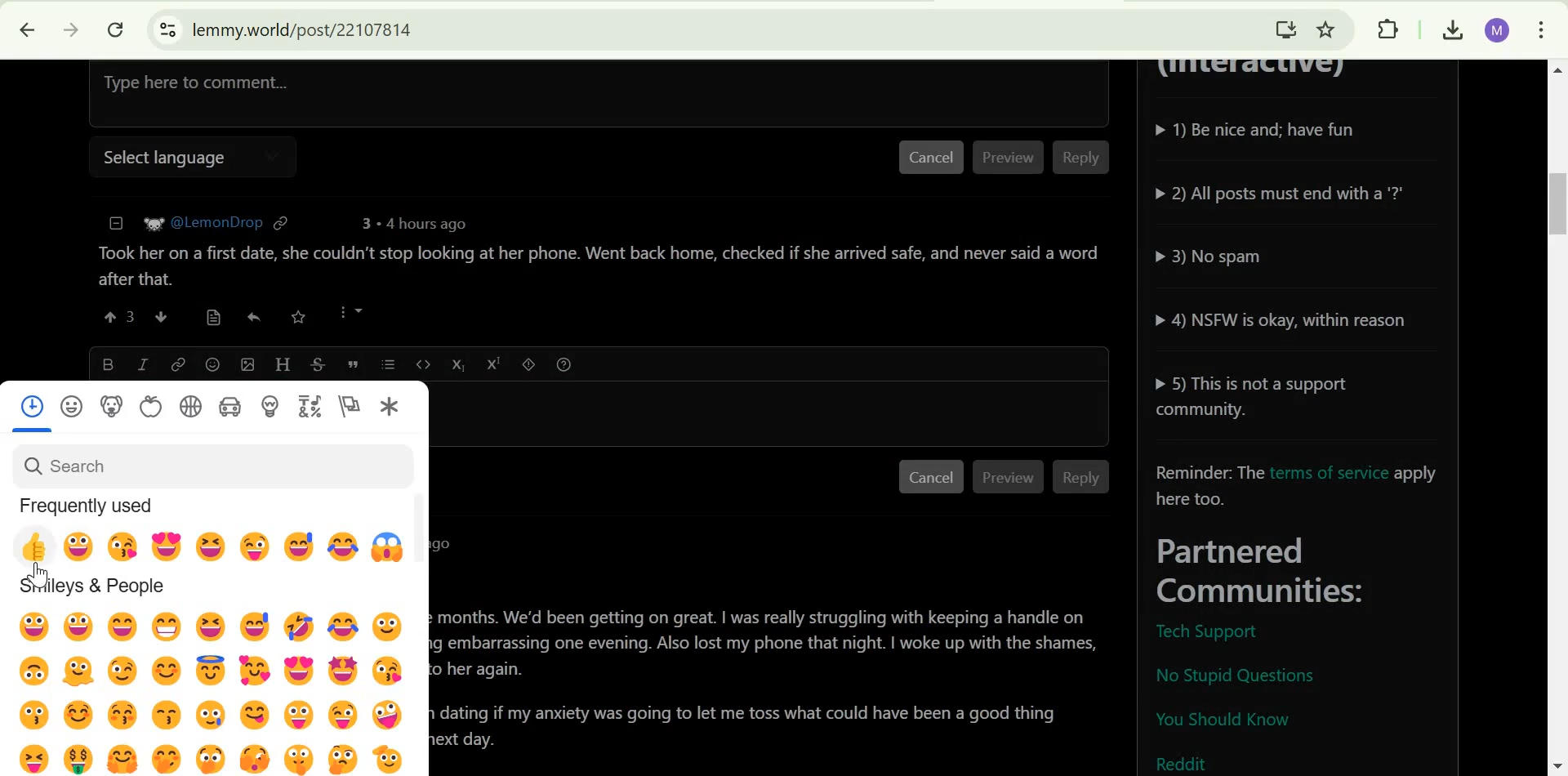 The height and width of the screenshot is (776, 1568). I want to click on Smileys & People, so click(73, 406).